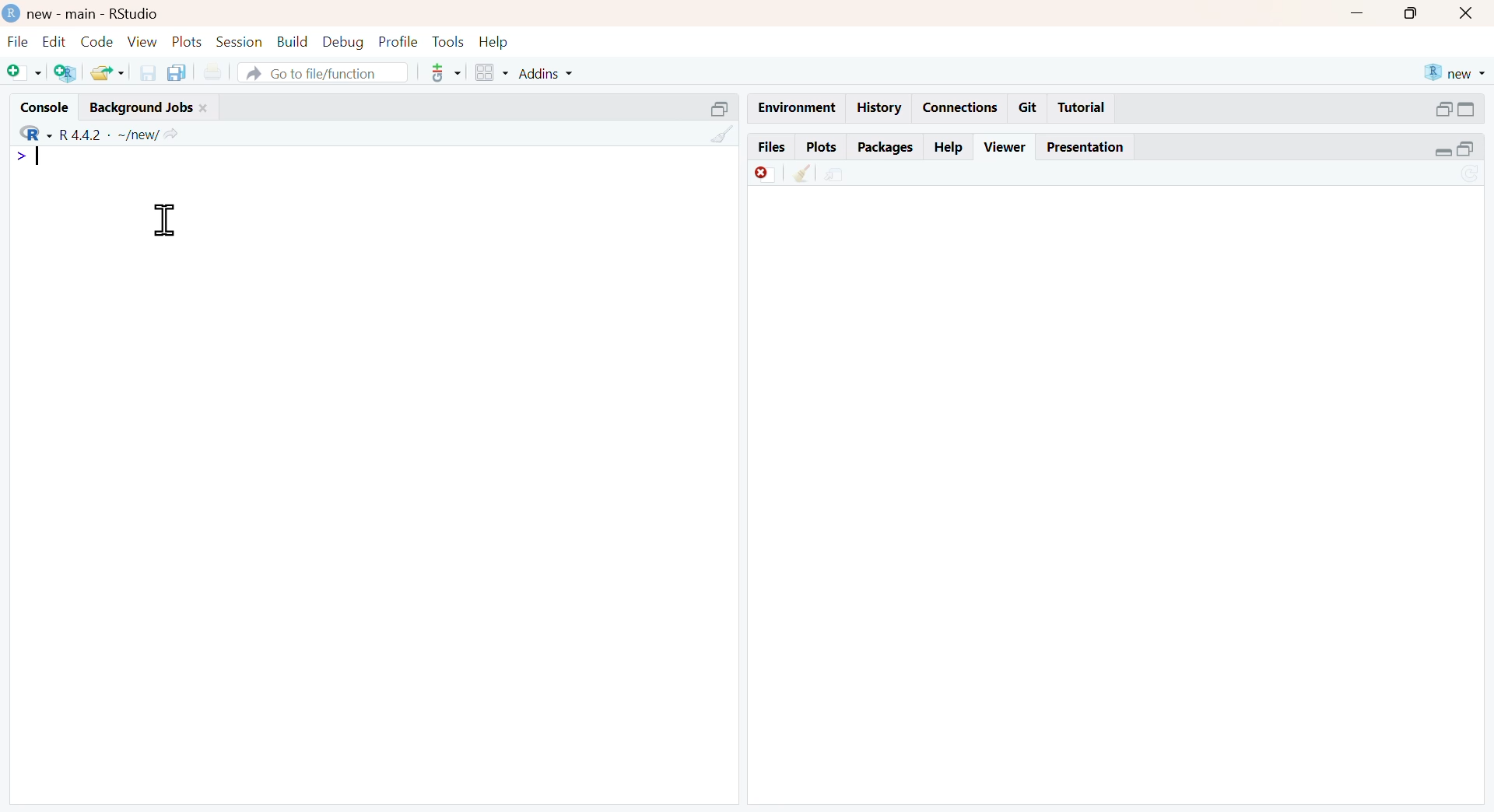  What do you see at coordinates (1440, 110) in the screenshot?
I see `minimize` at bounding box center [1440, 110].